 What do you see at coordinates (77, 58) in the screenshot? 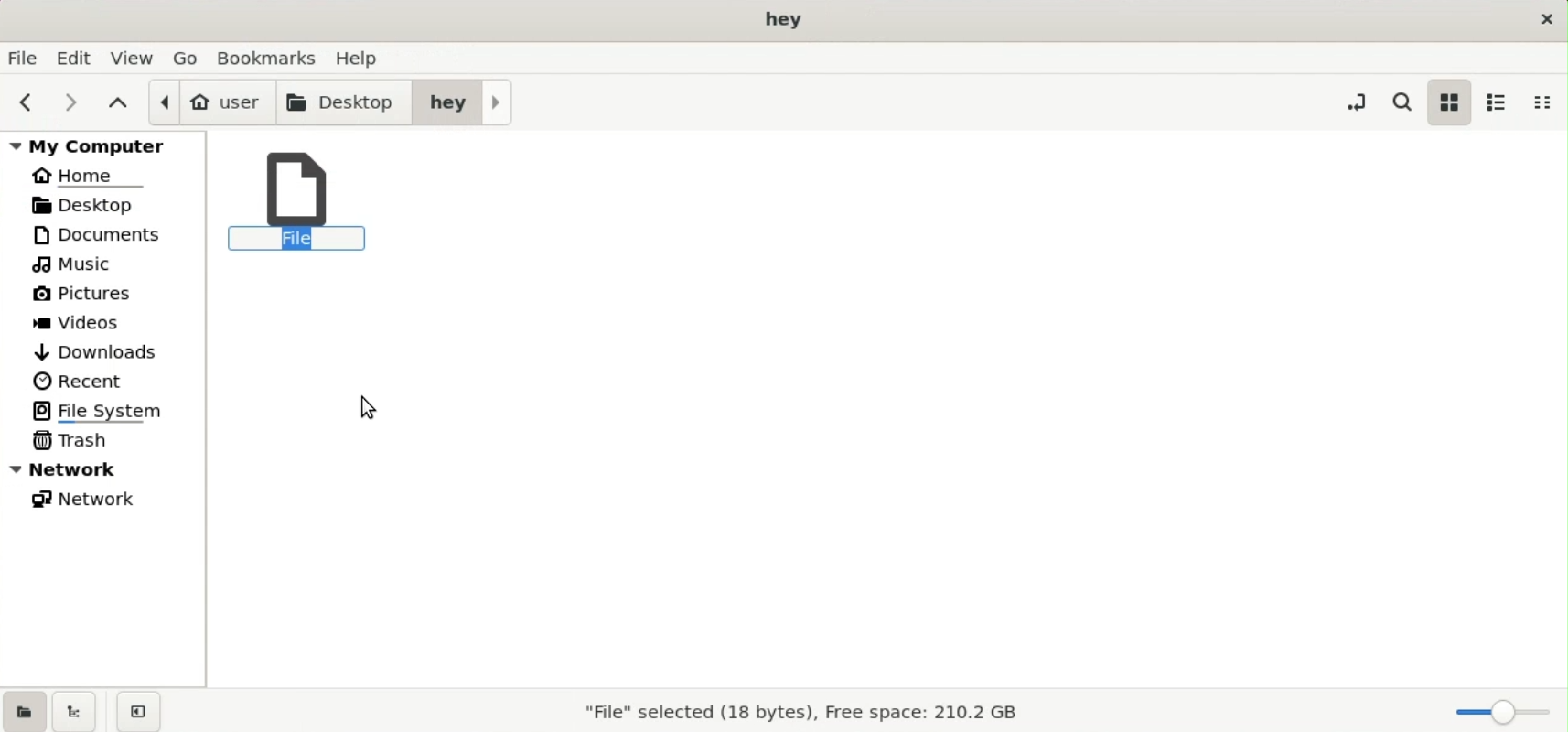
I see `edit` at bounding box center [77, 58].